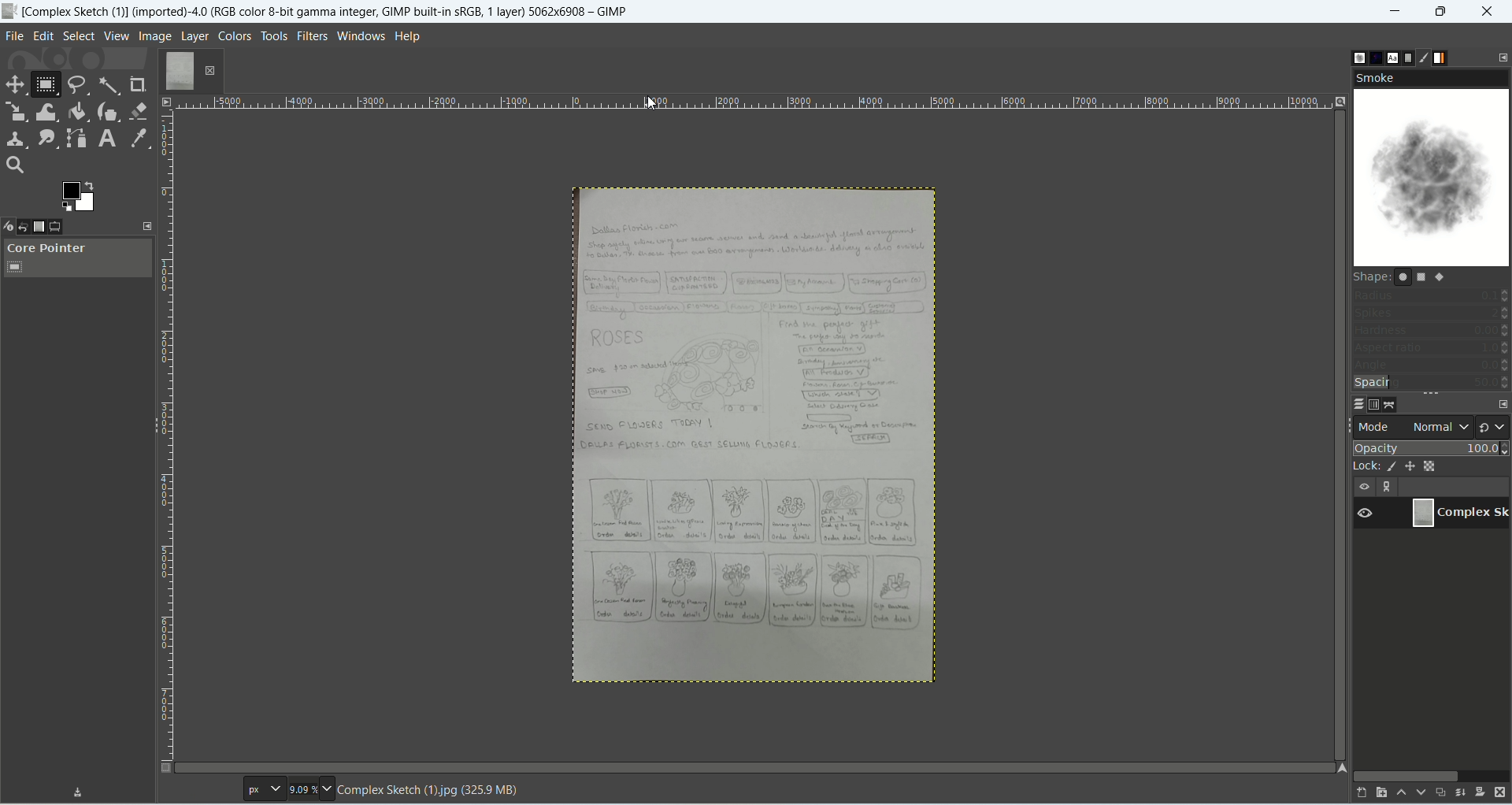 Image resolution: width=1512 pixels, height=805 pixels. What do you see at coordinates (1374, 57) in the screenshot?
I see `pattern` at bounding box center [1374, 57].